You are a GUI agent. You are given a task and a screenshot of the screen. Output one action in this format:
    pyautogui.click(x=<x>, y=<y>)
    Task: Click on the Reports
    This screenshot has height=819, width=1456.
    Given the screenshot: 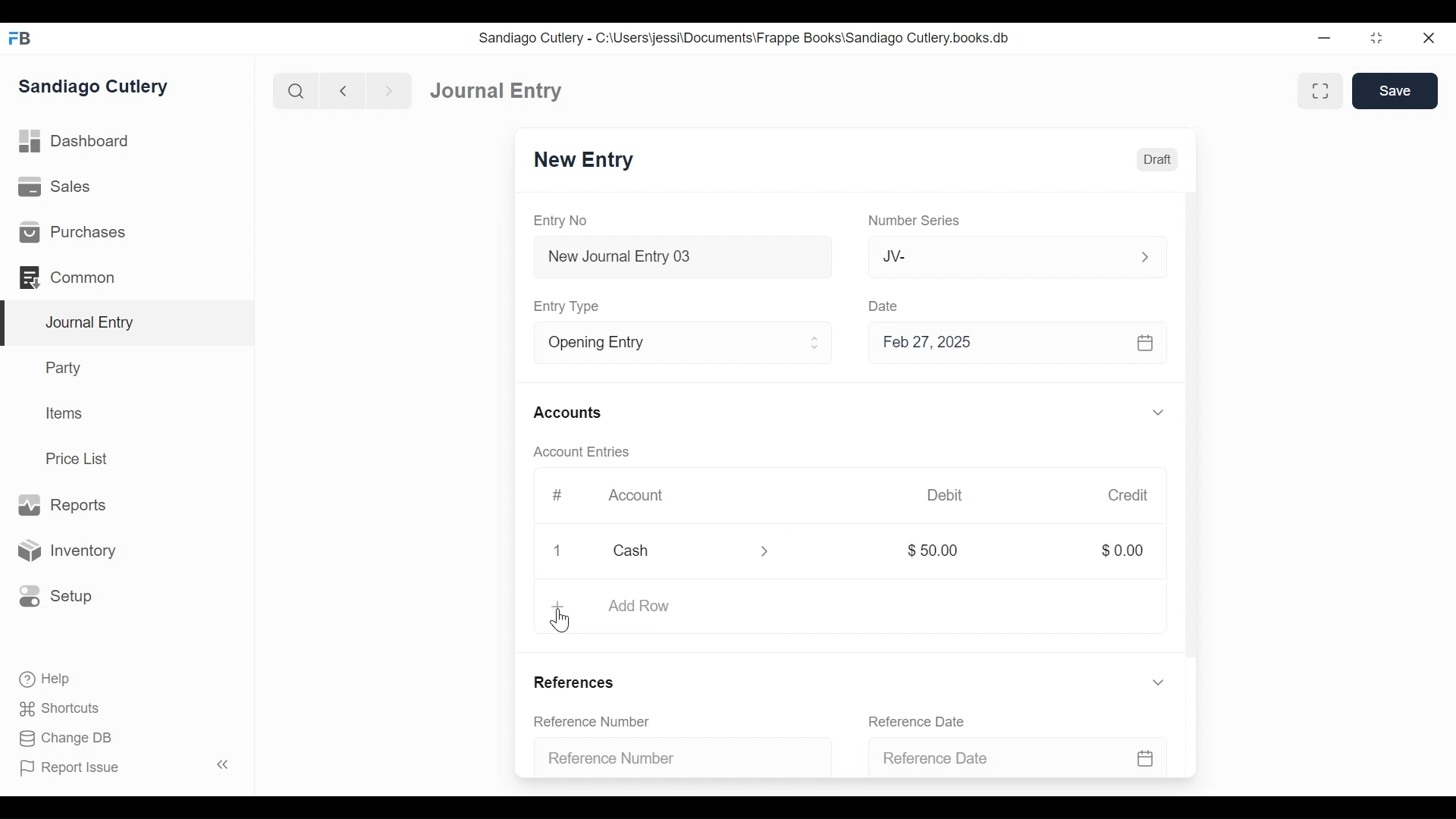 What is the action you would take?
    pyautogui.click(x=67, y=505)
    